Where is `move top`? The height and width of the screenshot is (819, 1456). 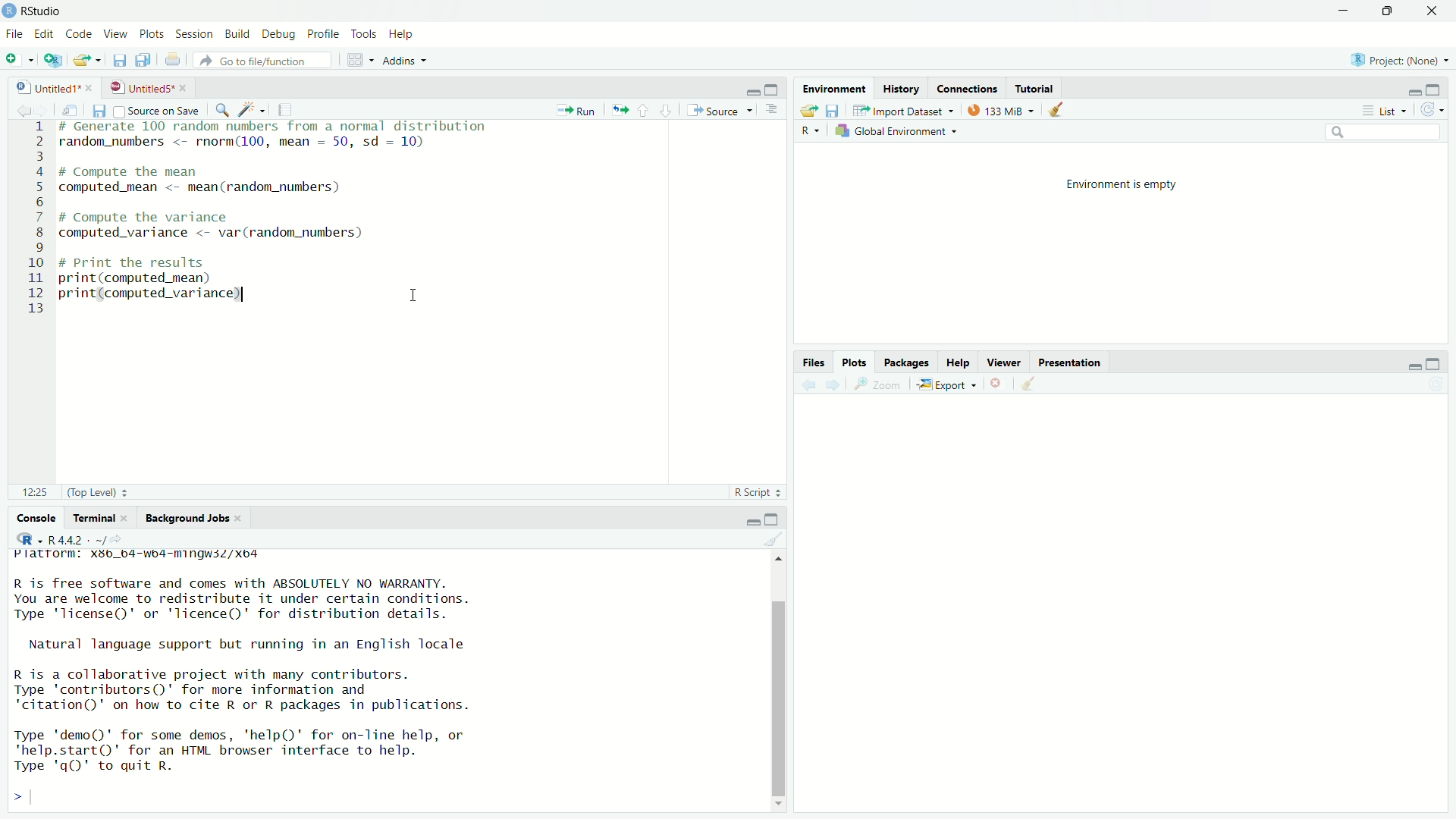 move top is located at coordinates (777, 563).